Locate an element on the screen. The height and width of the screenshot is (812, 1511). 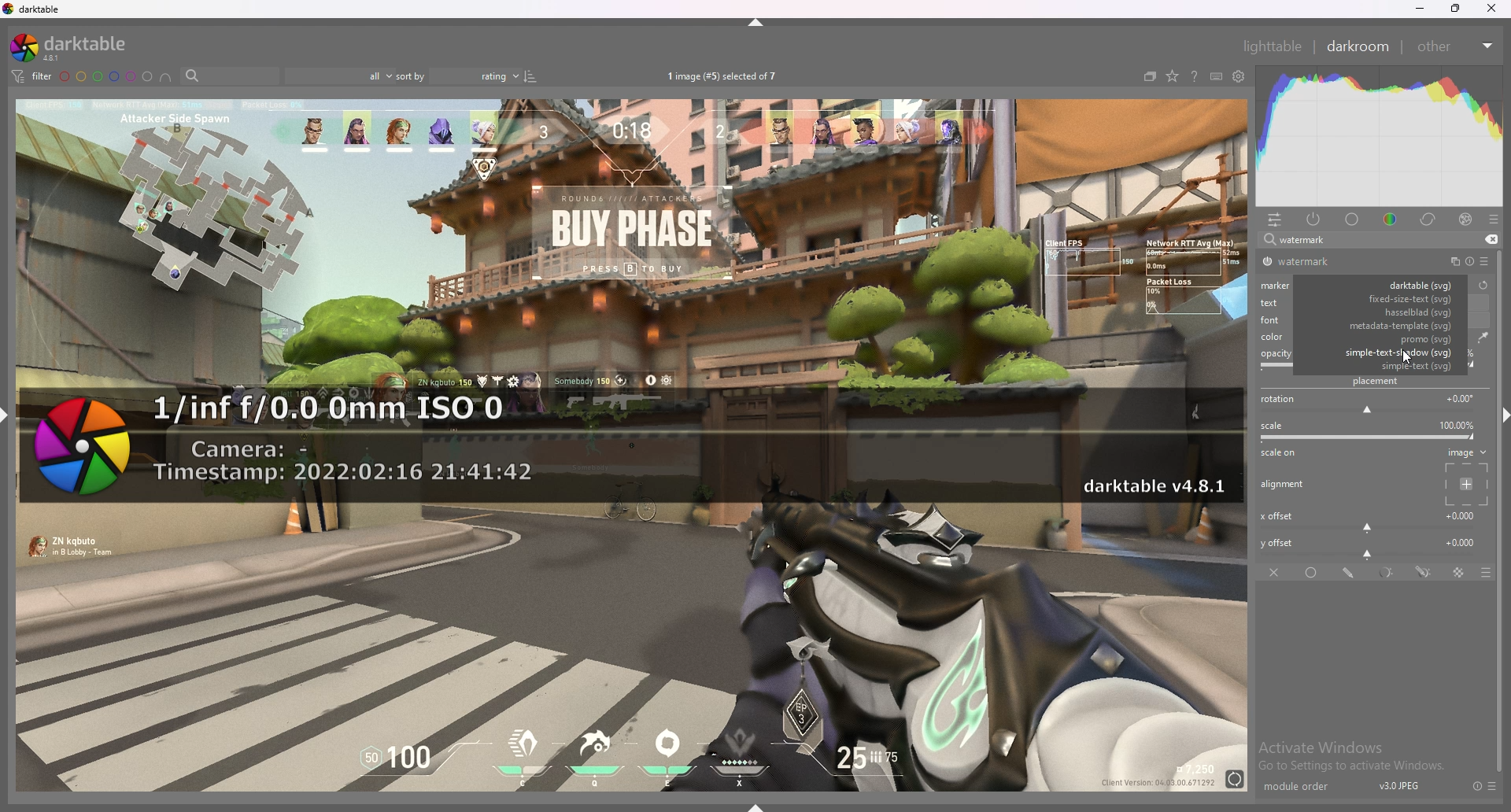
other is located at coordinates (1454, 46).